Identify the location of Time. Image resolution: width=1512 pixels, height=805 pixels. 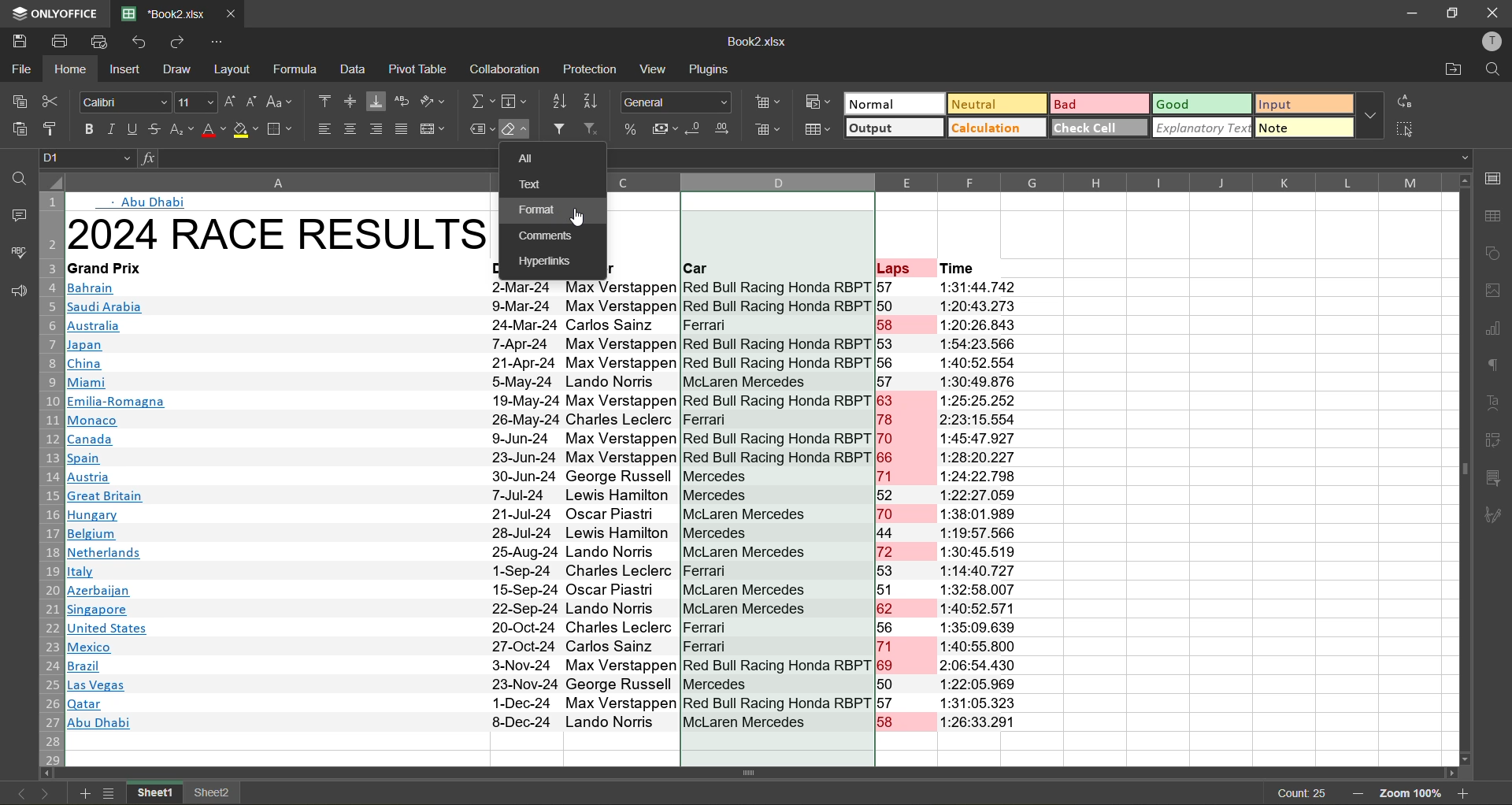
(962, 269).